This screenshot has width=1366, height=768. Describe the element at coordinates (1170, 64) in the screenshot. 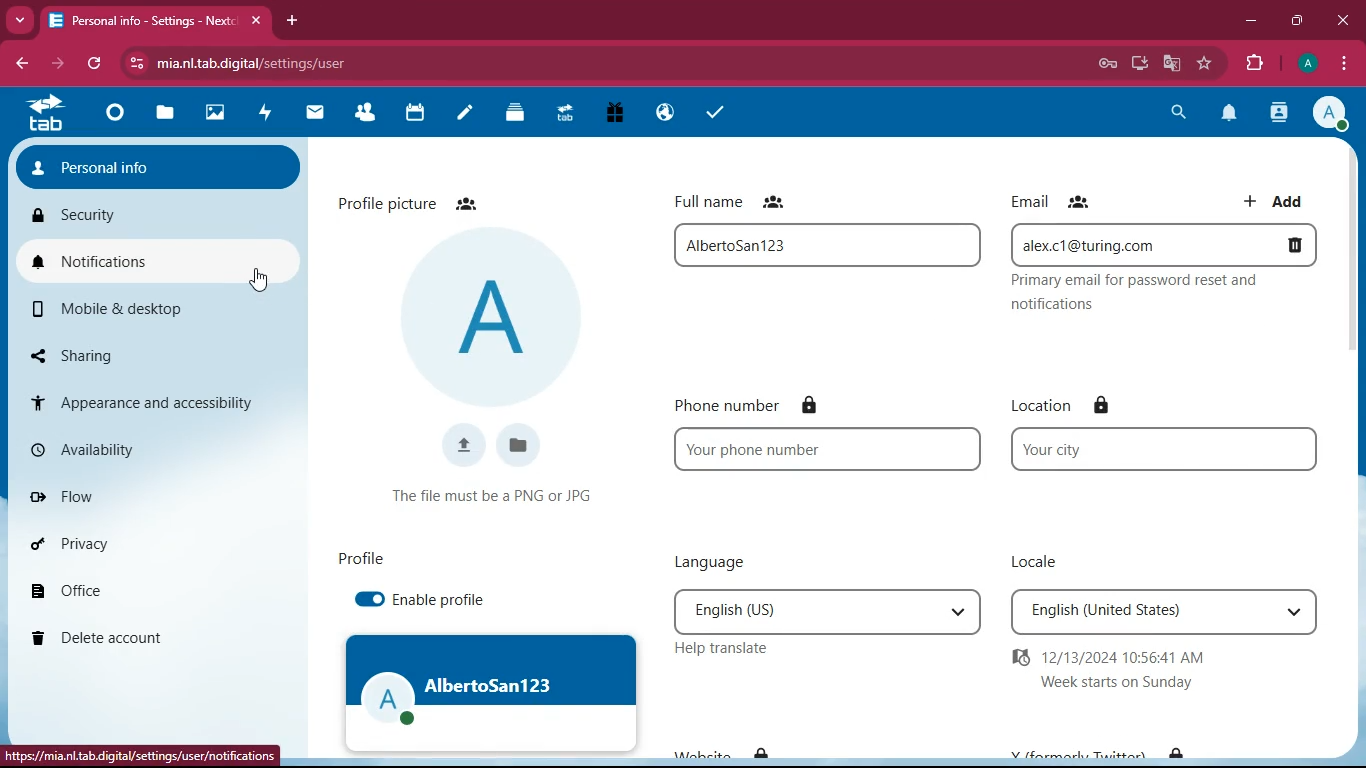

I see `google translate` at that location.